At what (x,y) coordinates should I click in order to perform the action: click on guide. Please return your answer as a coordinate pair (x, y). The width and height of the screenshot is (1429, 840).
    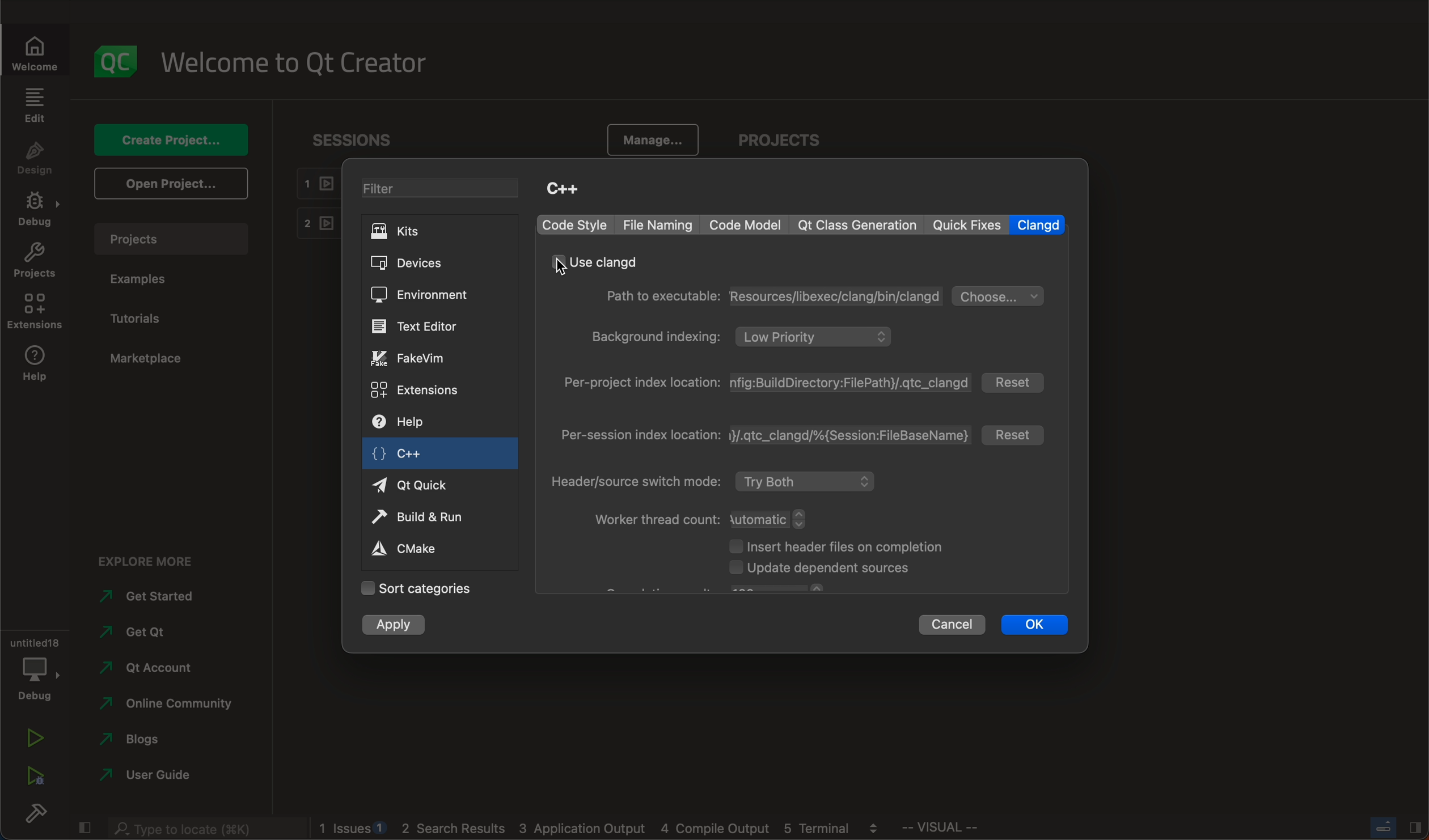
    Looking at the image, I should click on (150, 773).